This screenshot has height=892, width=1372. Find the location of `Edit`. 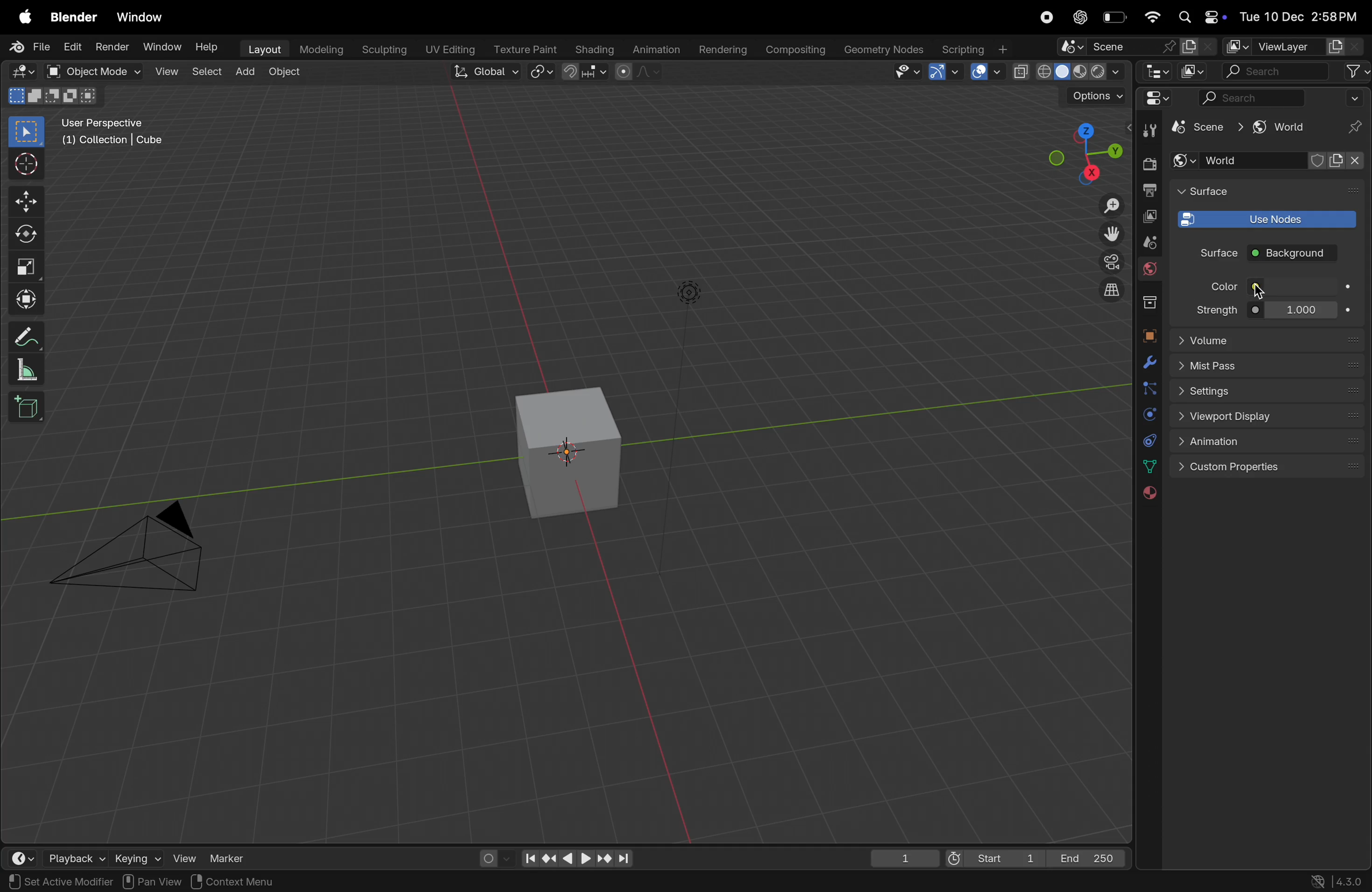

Edit is located at coordinates (71, 47).